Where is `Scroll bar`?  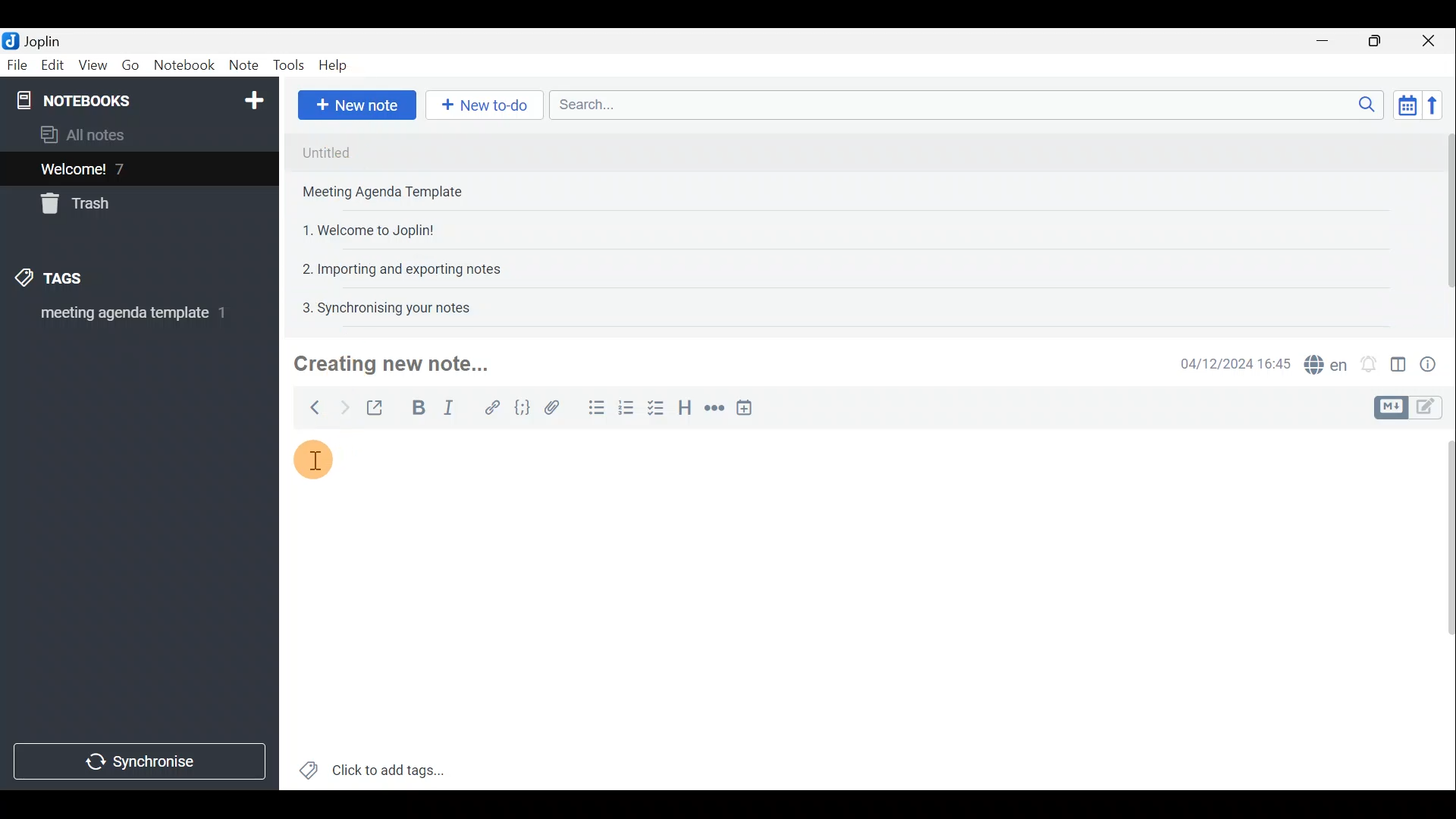 Scroll bar is located at coordinates (1442, 607).